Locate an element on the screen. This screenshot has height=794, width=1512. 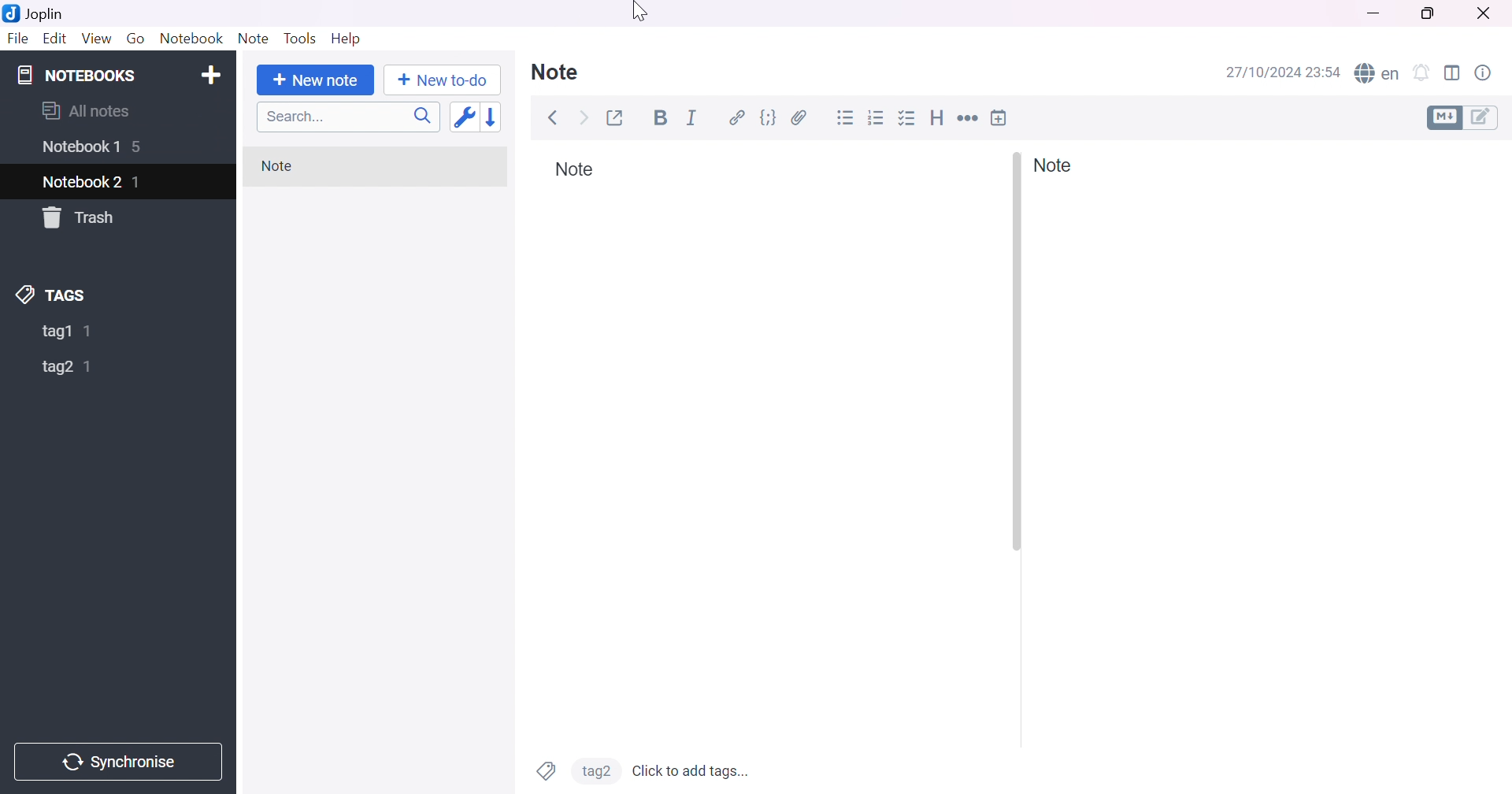
Notebook is located at coordinates (188, 39).